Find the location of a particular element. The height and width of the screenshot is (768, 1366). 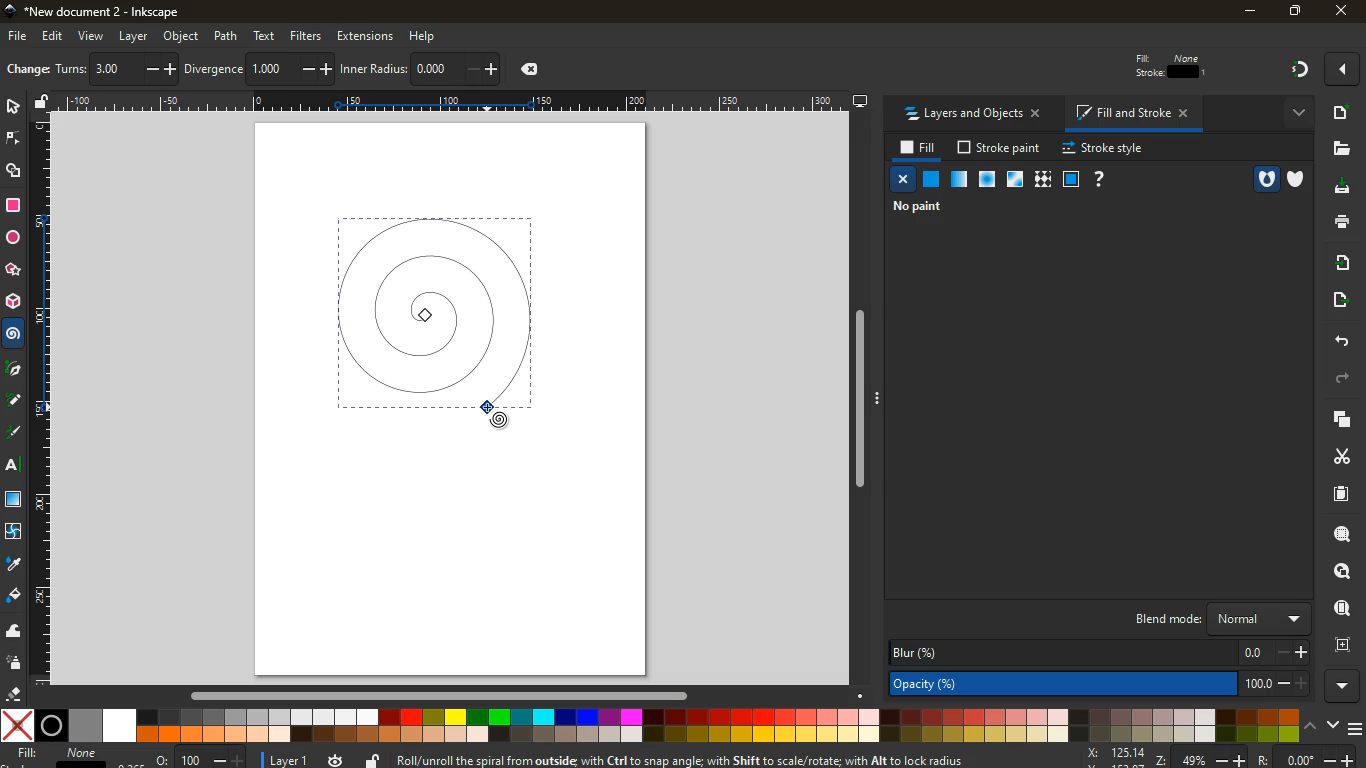

 is located at coordinates (133, 35).